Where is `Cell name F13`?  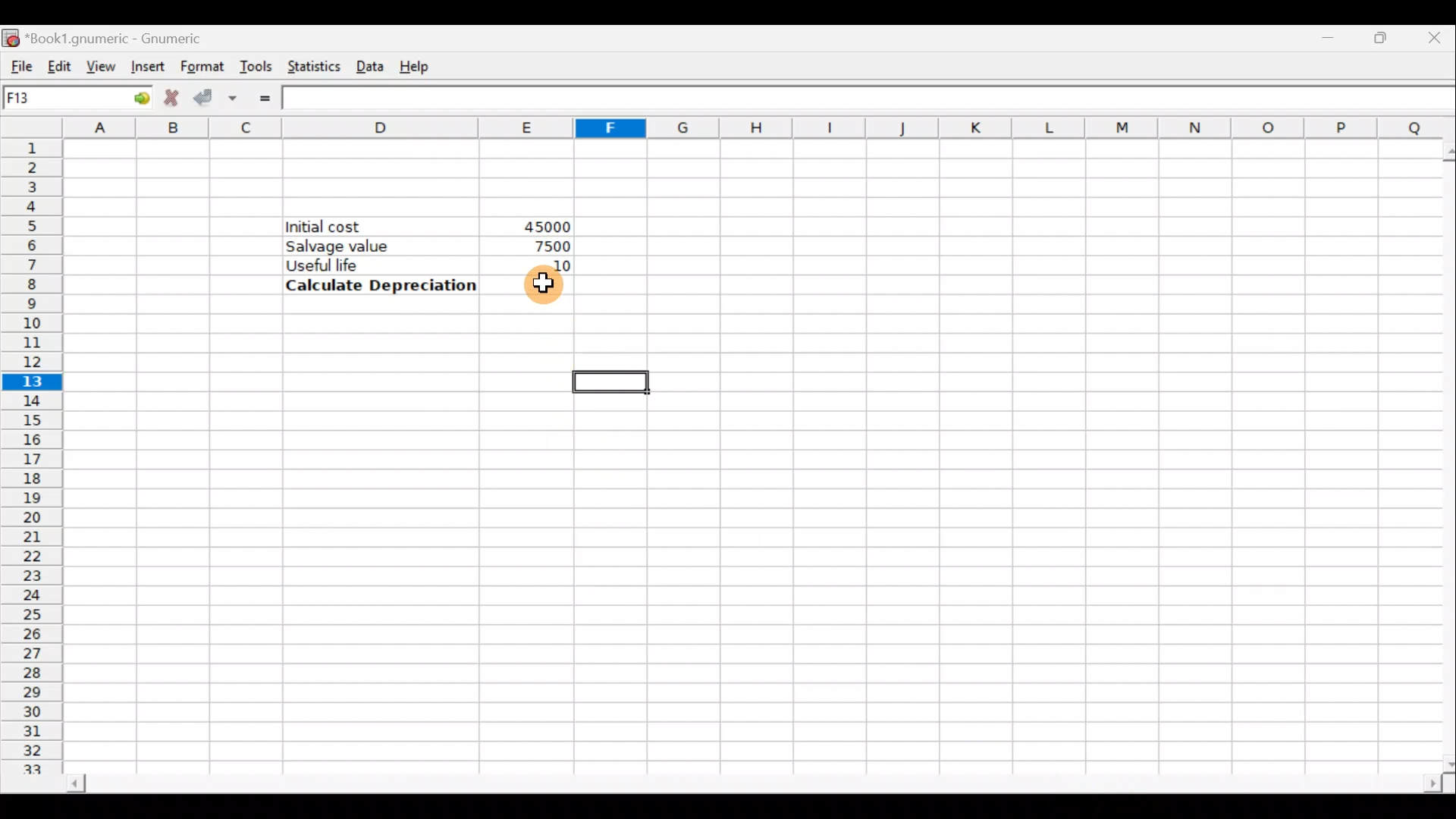 Cell name F13 is located at coordinates (51, 101).